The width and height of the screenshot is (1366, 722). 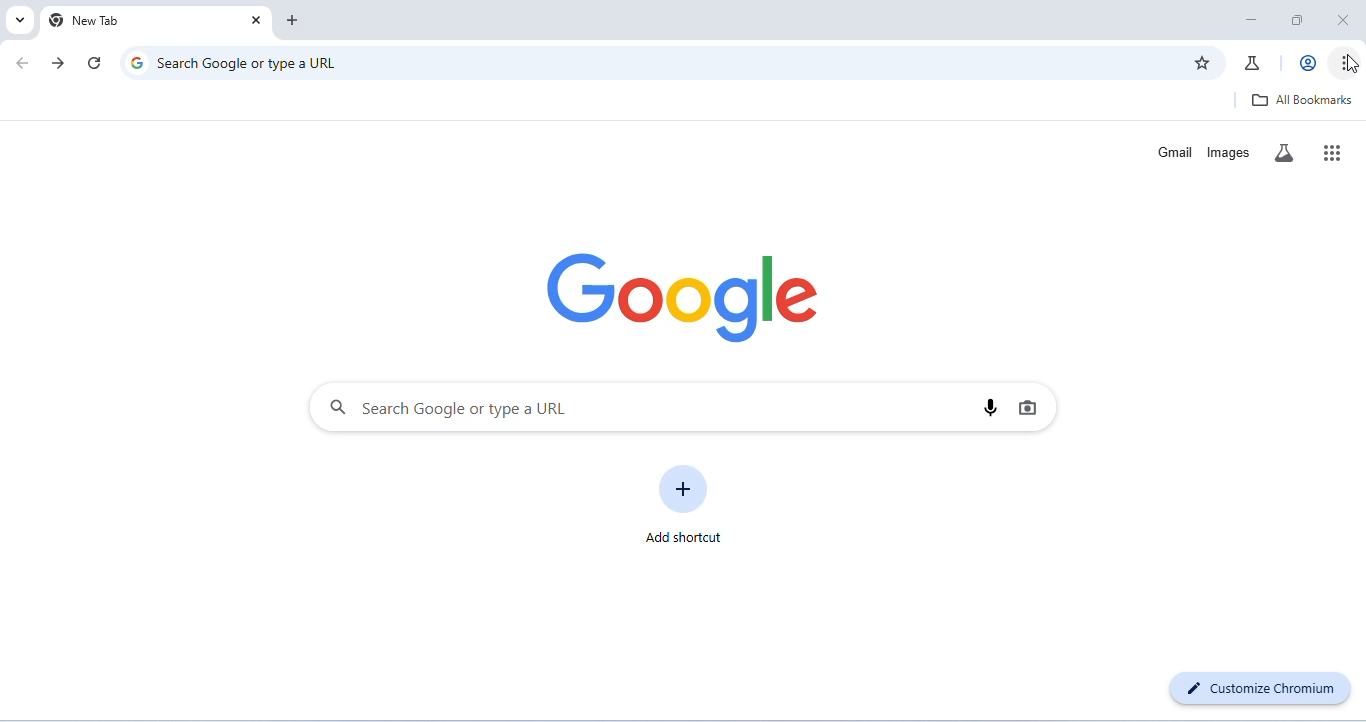 What do you see at coordinates (686, 501) in the screenshot?
I see `add shortcut` at bounding box center [686, 501].